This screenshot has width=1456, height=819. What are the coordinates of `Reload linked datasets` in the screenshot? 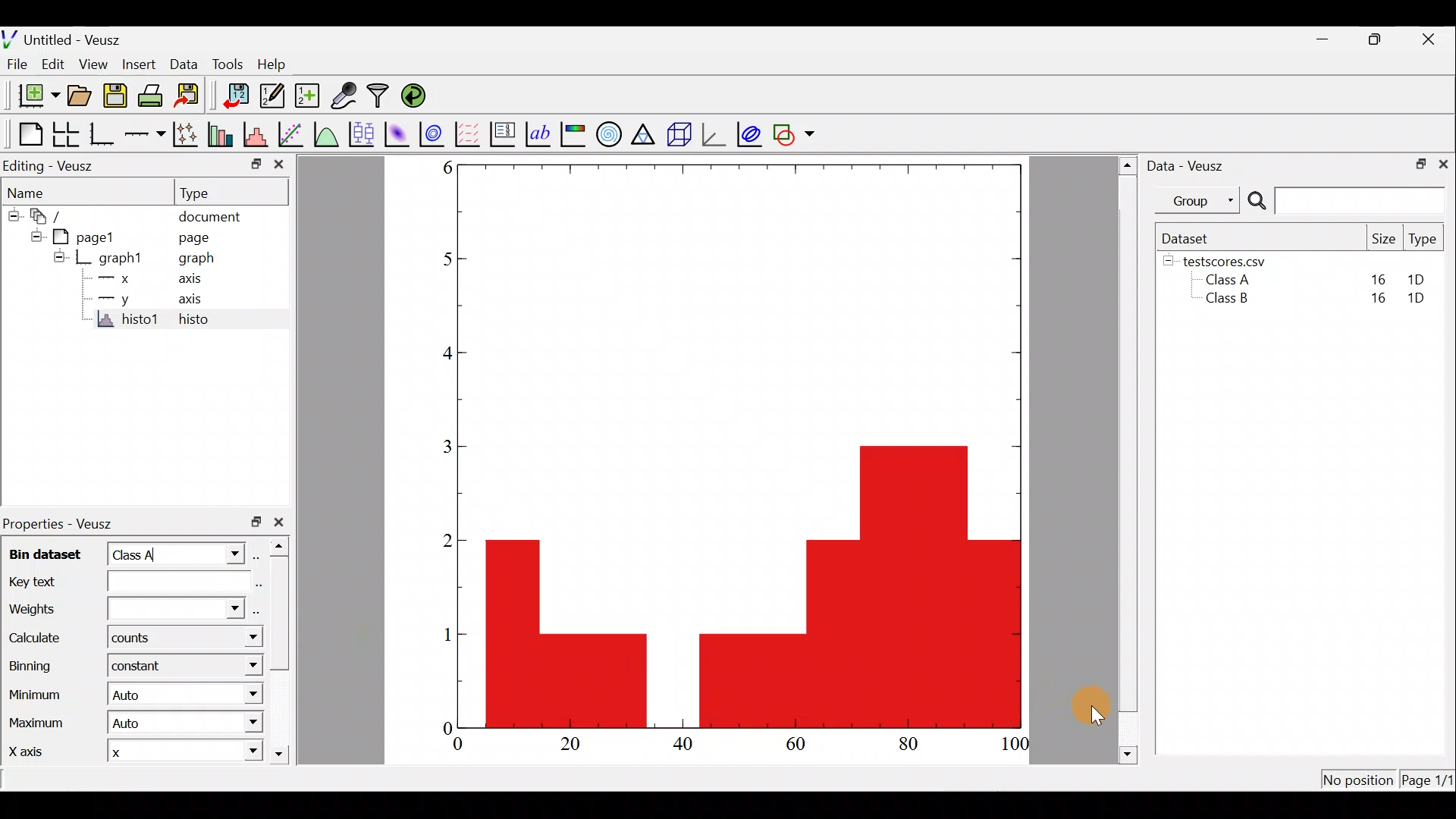 It's located at (415, 96).